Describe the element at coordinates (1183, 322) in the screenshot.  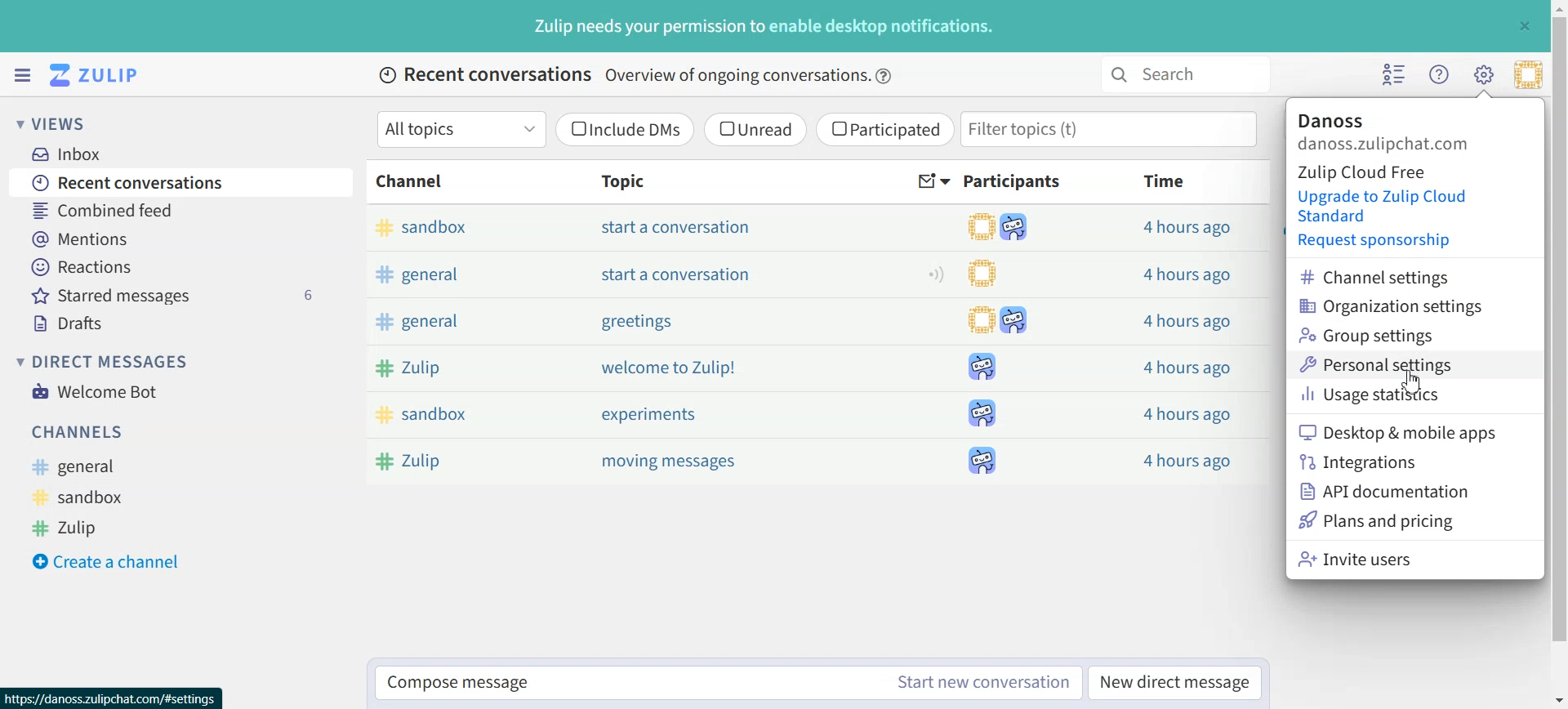
I see `4 hours ago` at that location.